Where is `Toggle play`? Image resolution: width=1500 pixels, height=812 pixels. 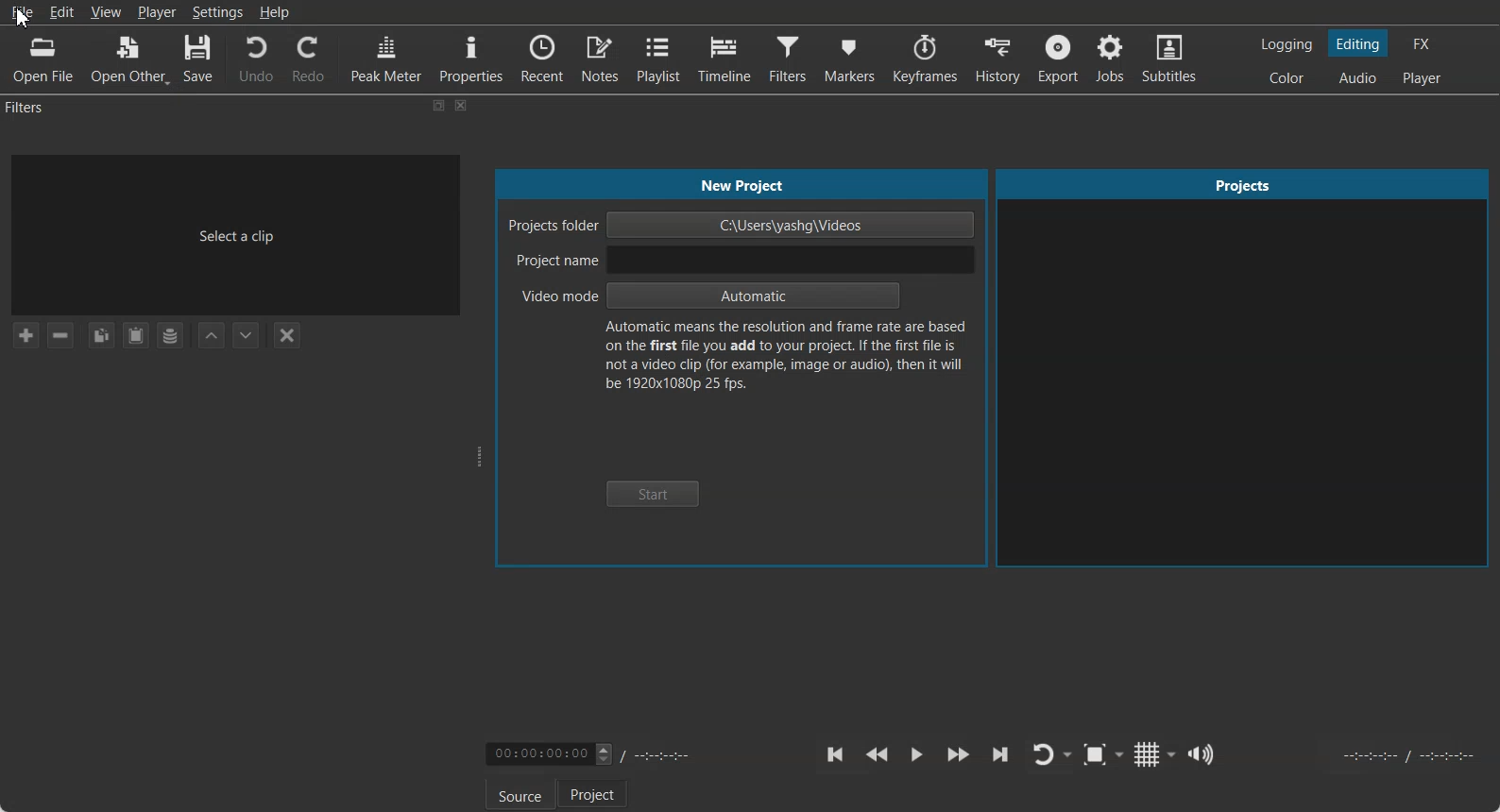 Toggle play is located at coordinates (917, 754).